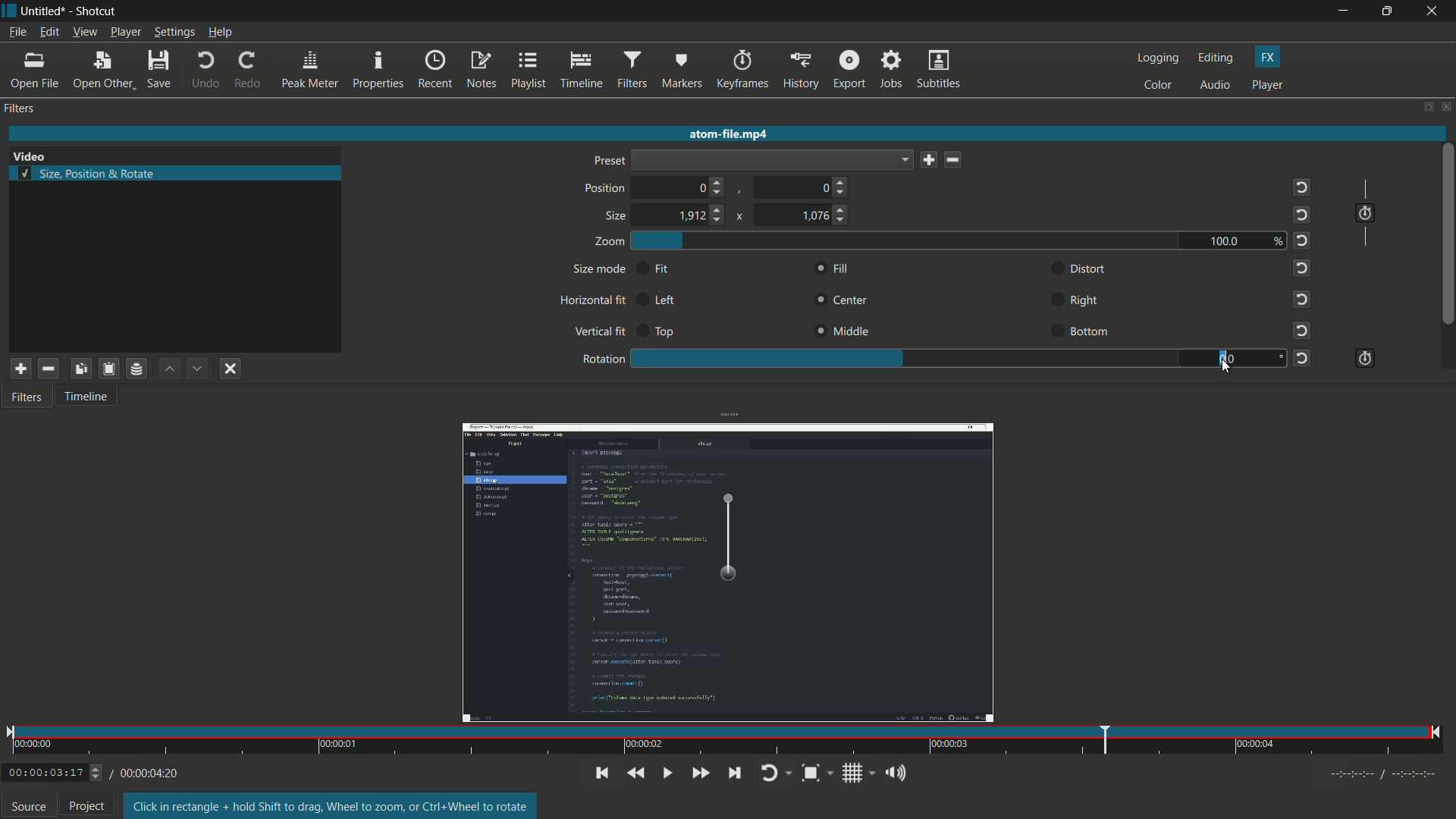 The image size is (1456, 819). I want to click on %, so click(1280, 241).